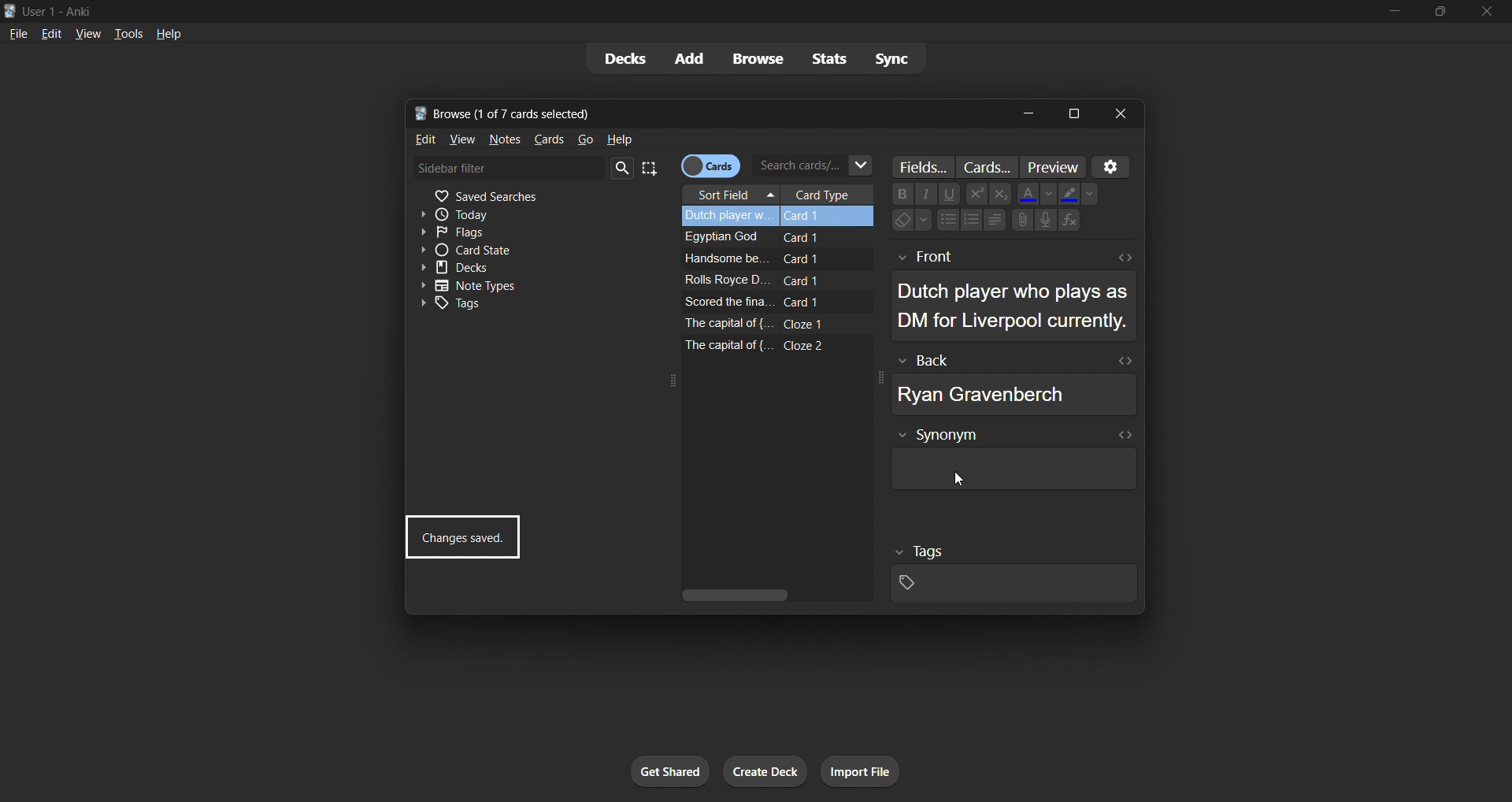 Image resolution: width=1512 pixels, height=802 pixels. What do you see at coordinates (1067, 194) in the screenshot?
I see `Fill color` at bounding box center [1067, 194].